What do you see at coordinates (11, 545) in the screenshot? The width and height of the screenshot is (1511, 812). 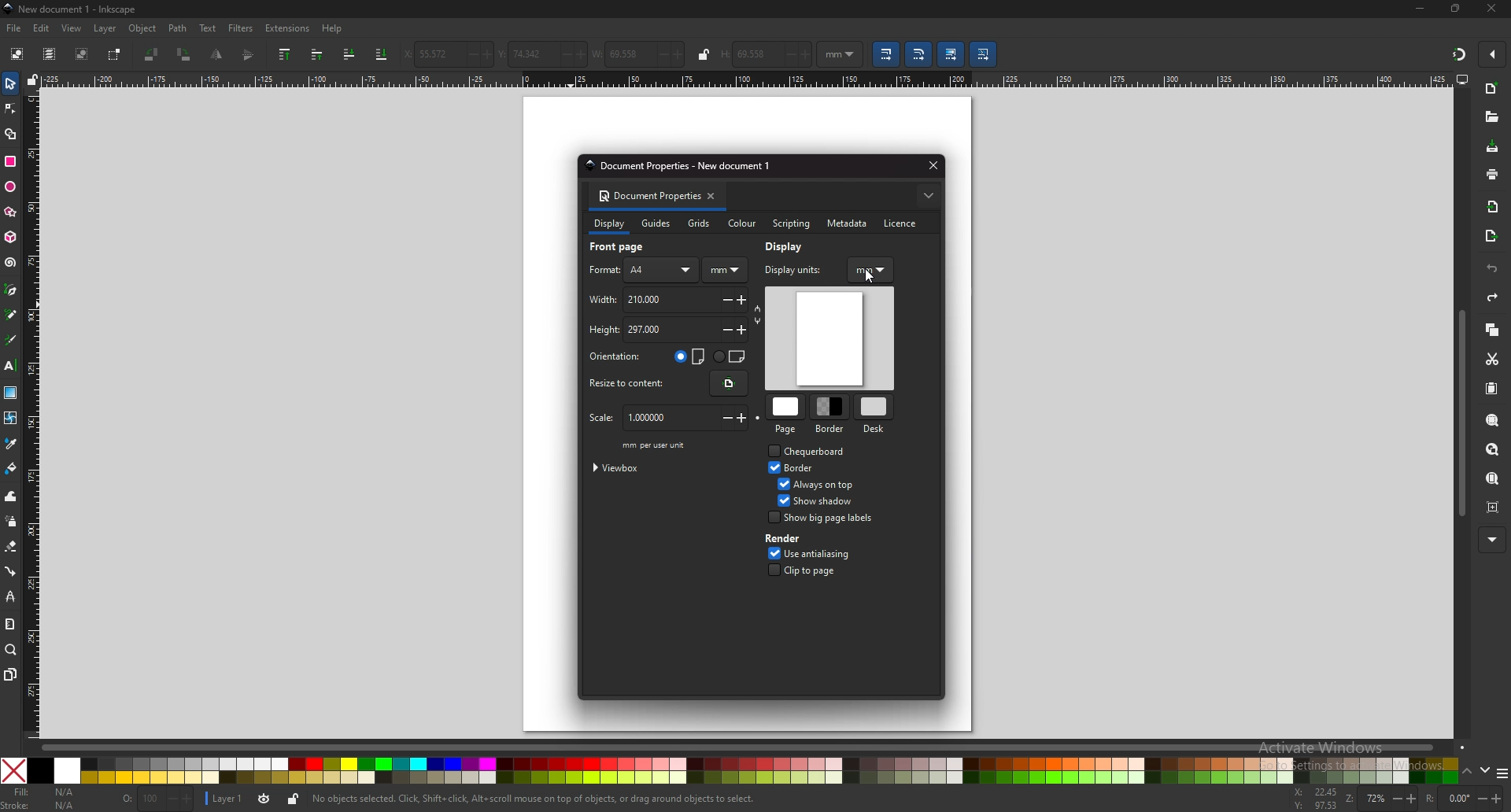 I see `erase` at bounding box center [11, 545].